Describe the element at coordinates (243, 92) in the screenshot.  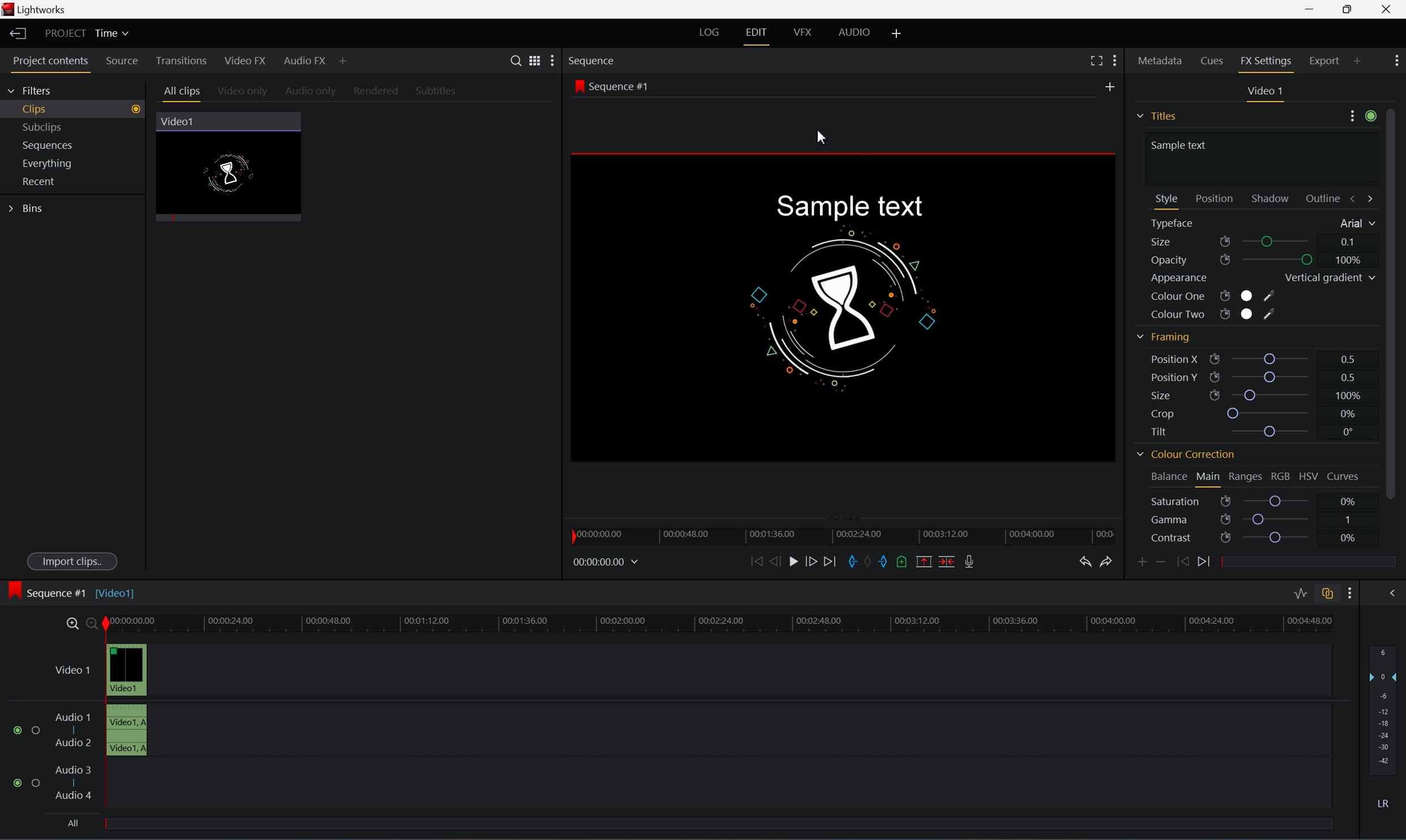
I see `video only` at that location.